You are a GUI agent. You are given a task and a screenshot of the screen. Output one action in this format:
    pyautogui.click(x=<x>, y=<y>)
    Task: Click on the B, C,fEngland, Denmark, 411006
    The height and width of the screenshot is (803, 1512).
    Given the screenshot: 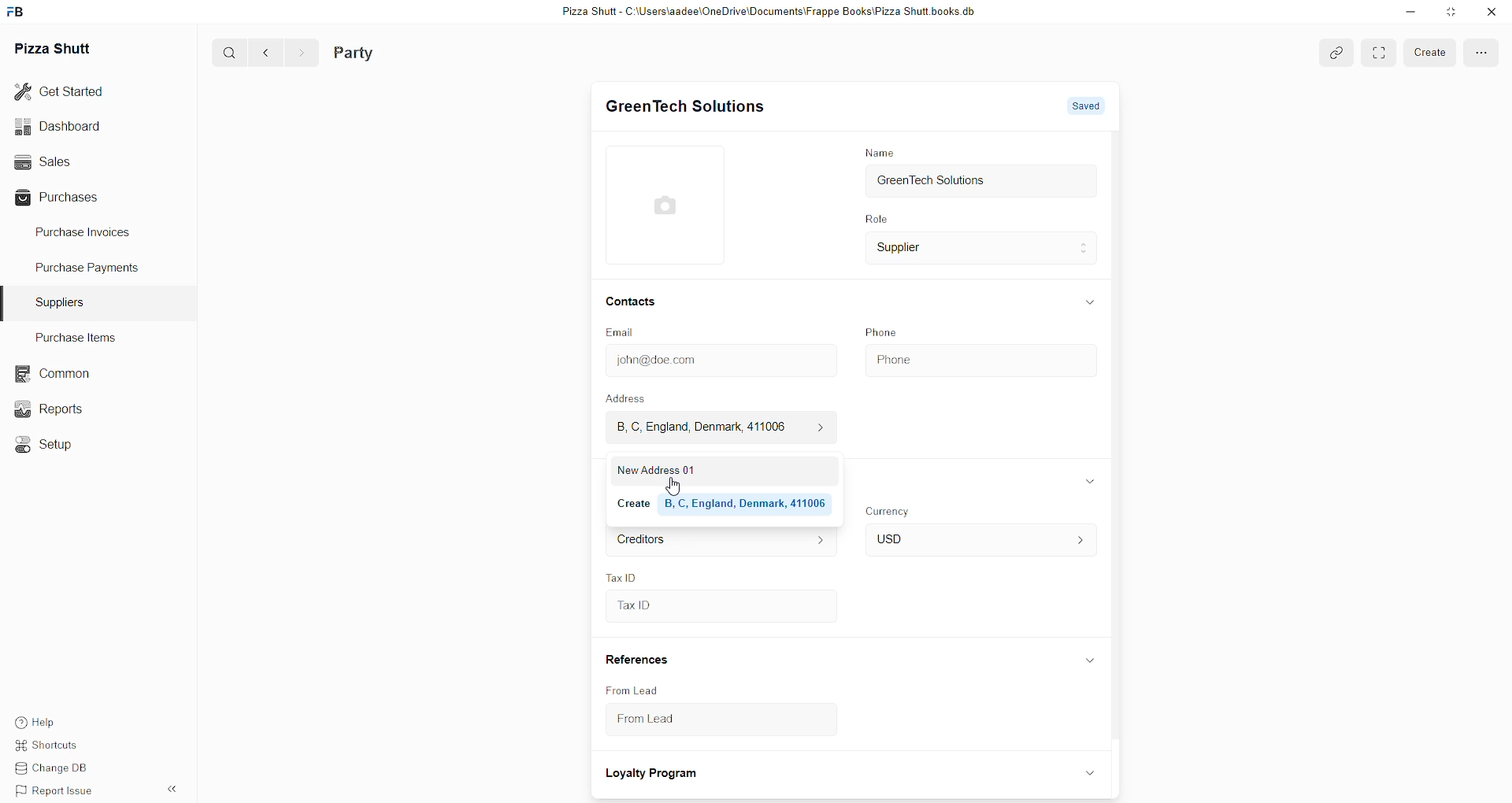 What is the action you would take?
    pyautogui.click(x=716, y=427)
    